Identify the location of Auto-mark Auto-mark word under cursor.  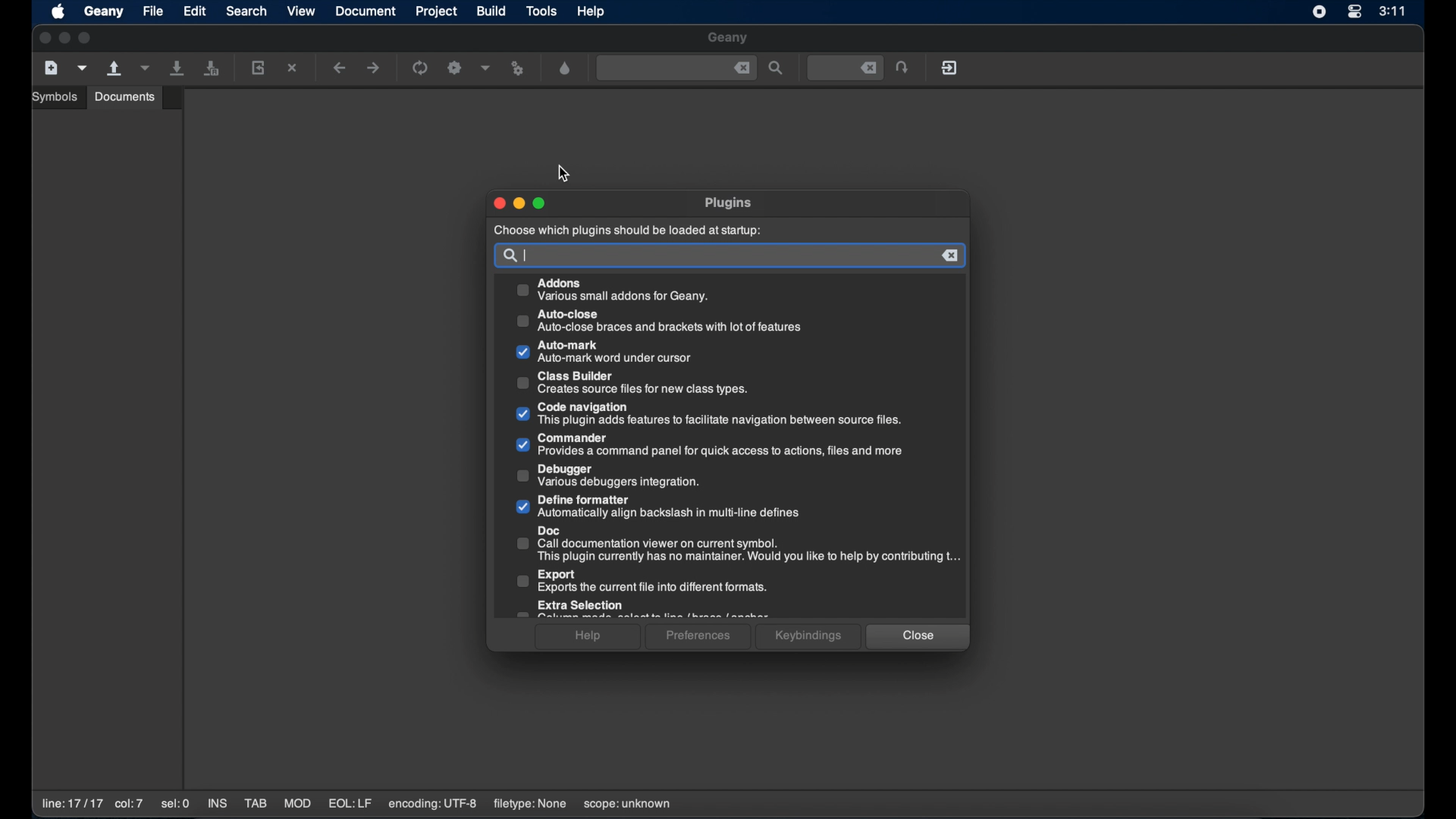
(621, 351).